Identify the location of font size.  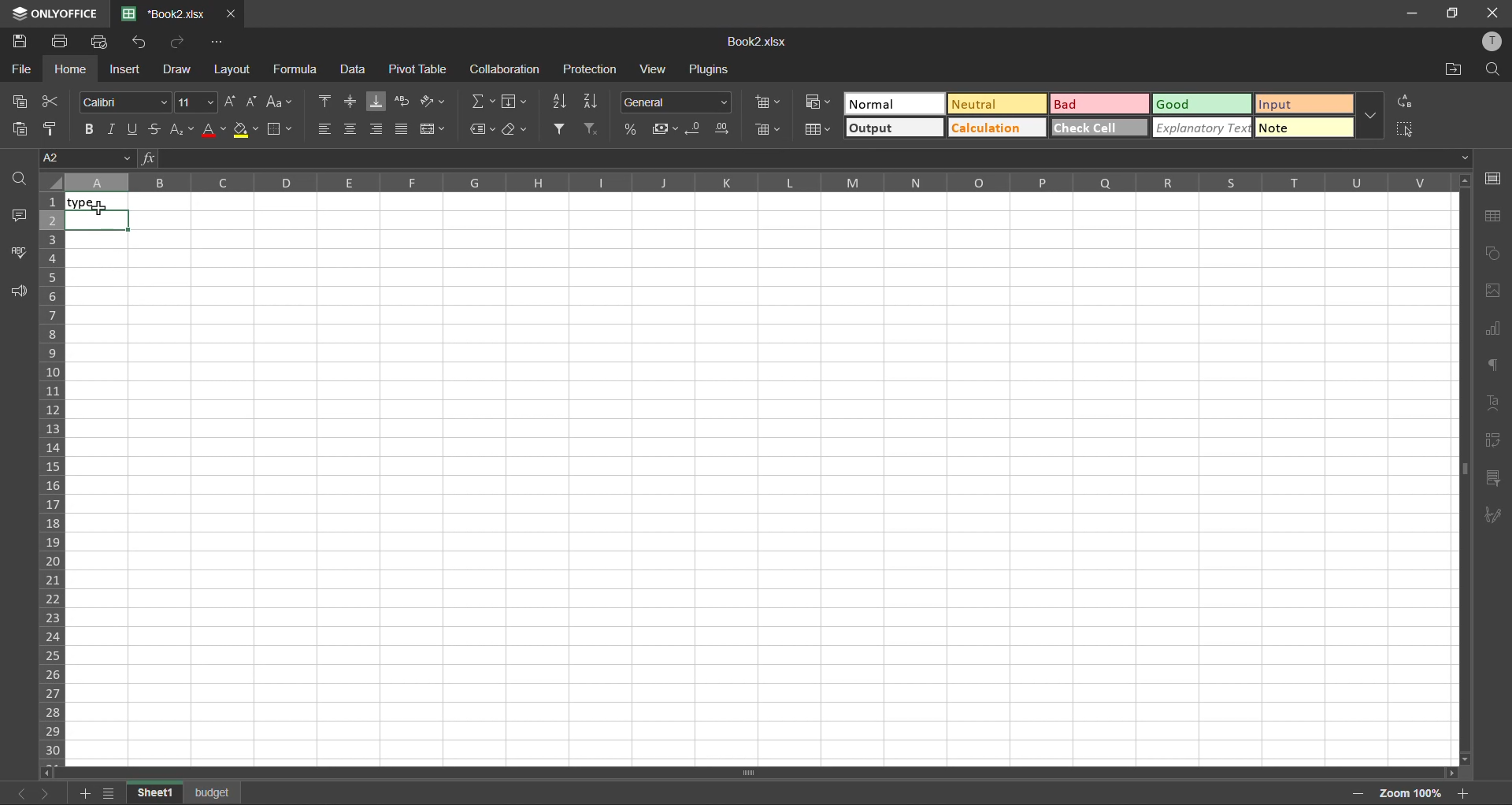
(198, 102).